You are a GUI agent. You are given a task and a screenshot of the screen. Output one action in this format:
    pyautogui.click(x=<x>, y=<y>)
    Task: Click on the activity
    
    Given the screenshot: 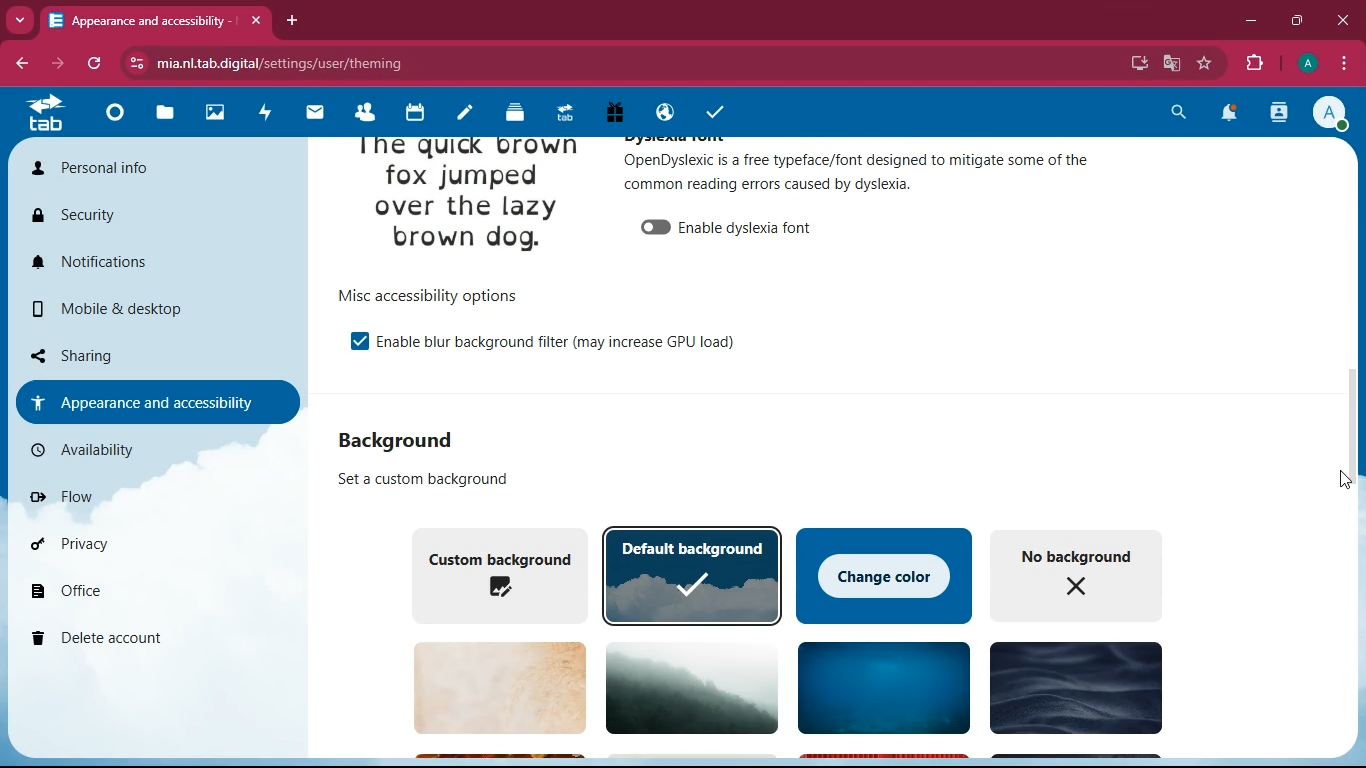 What is the action you would take?
    pyautogui.click(x=265, y=111)
    